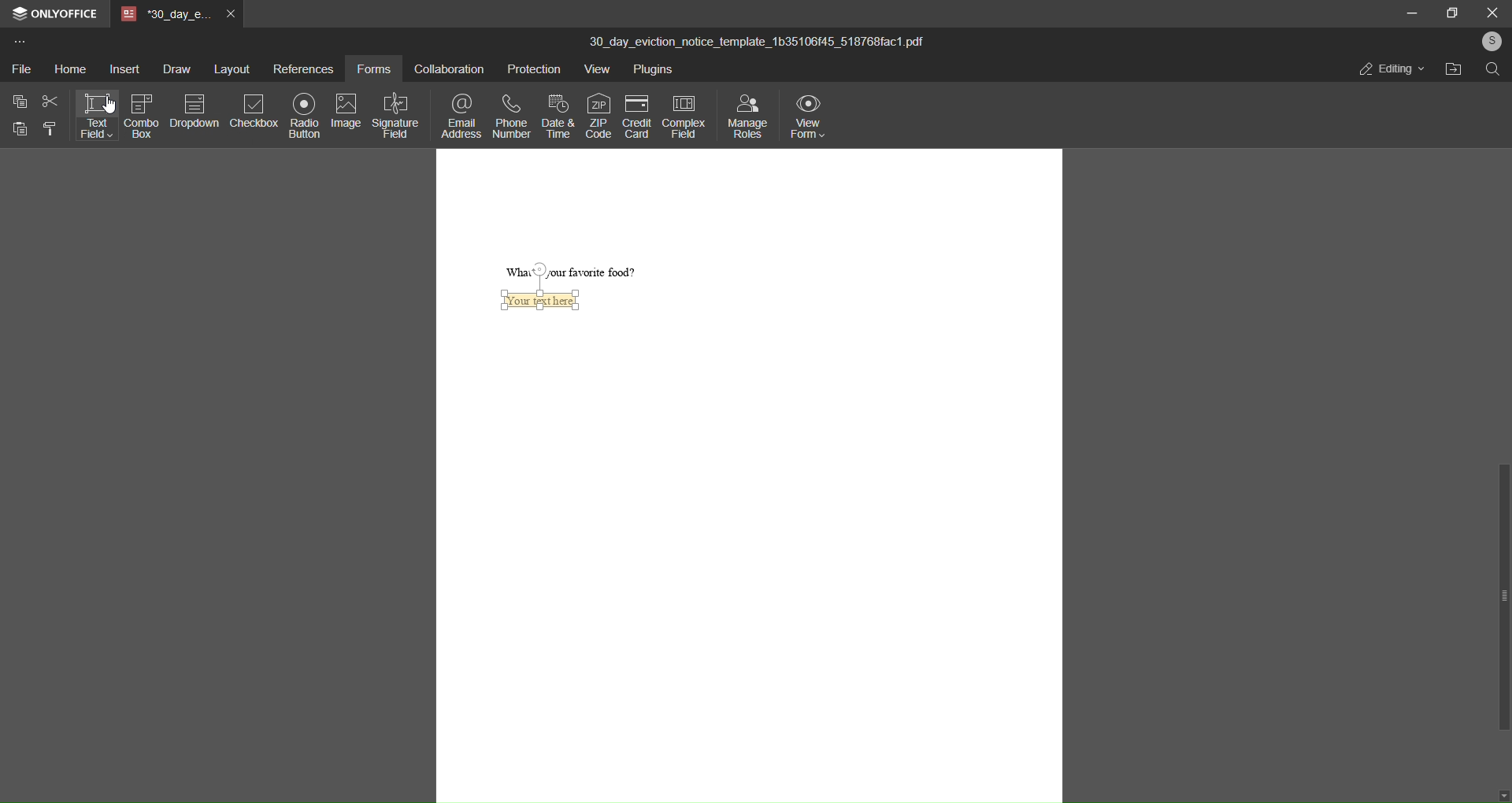  I want to click on down, so click(1503, 797).